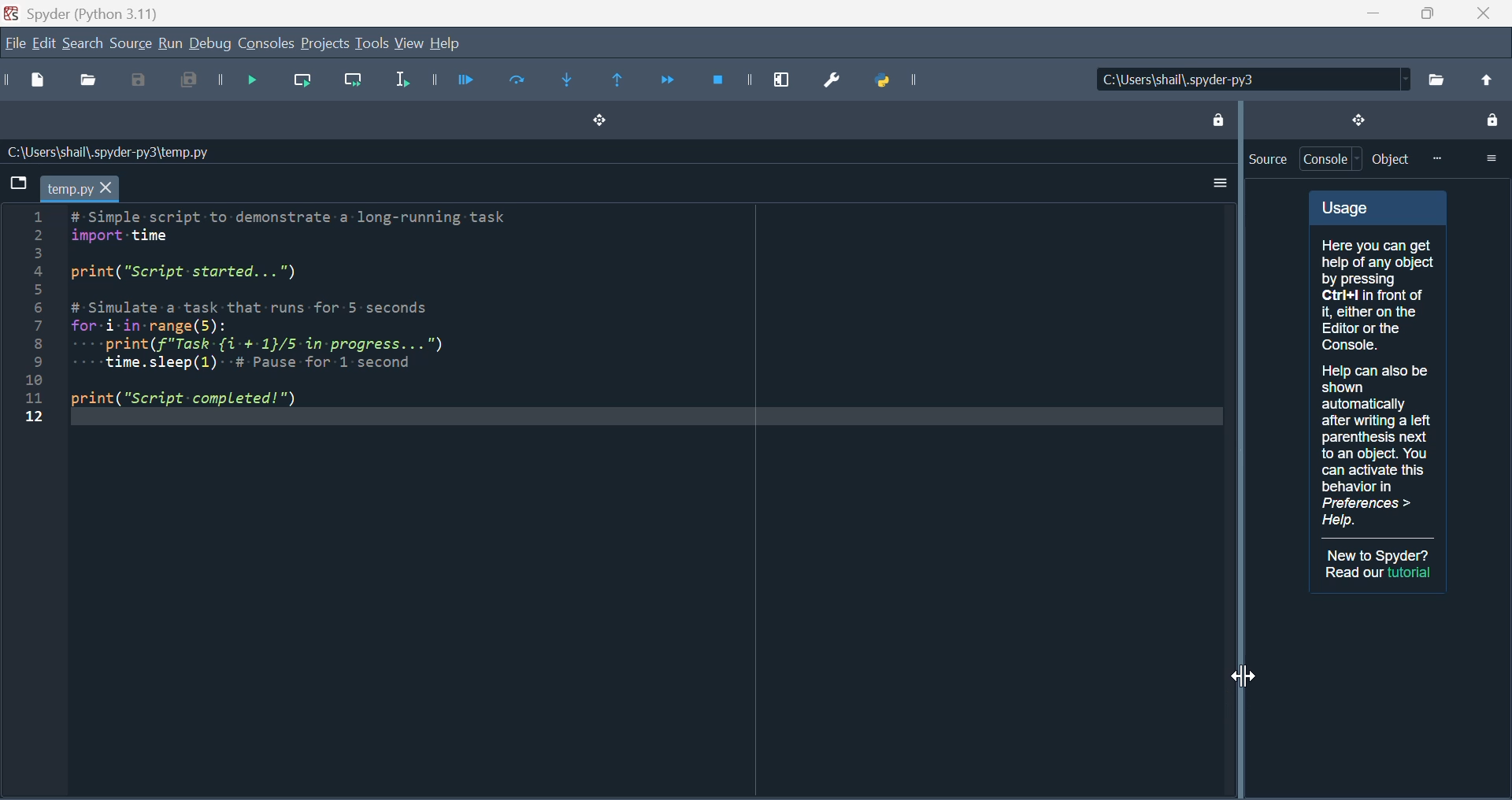  I want to click on Console, so click(1332, 159).